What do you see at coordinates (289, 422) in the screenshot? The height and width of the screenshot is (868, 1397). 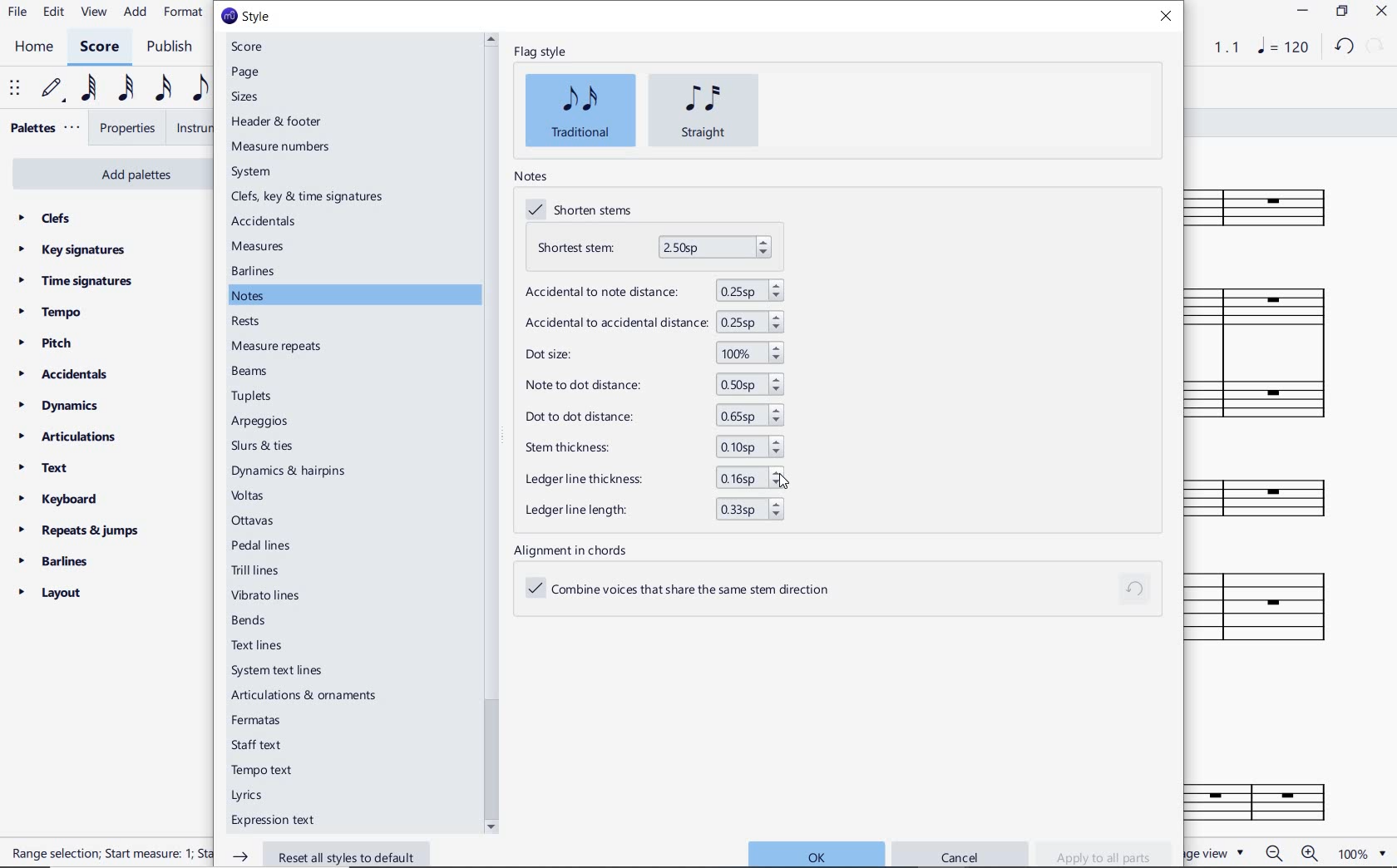 I see `arpeggios` at bounding box center [289, 422].